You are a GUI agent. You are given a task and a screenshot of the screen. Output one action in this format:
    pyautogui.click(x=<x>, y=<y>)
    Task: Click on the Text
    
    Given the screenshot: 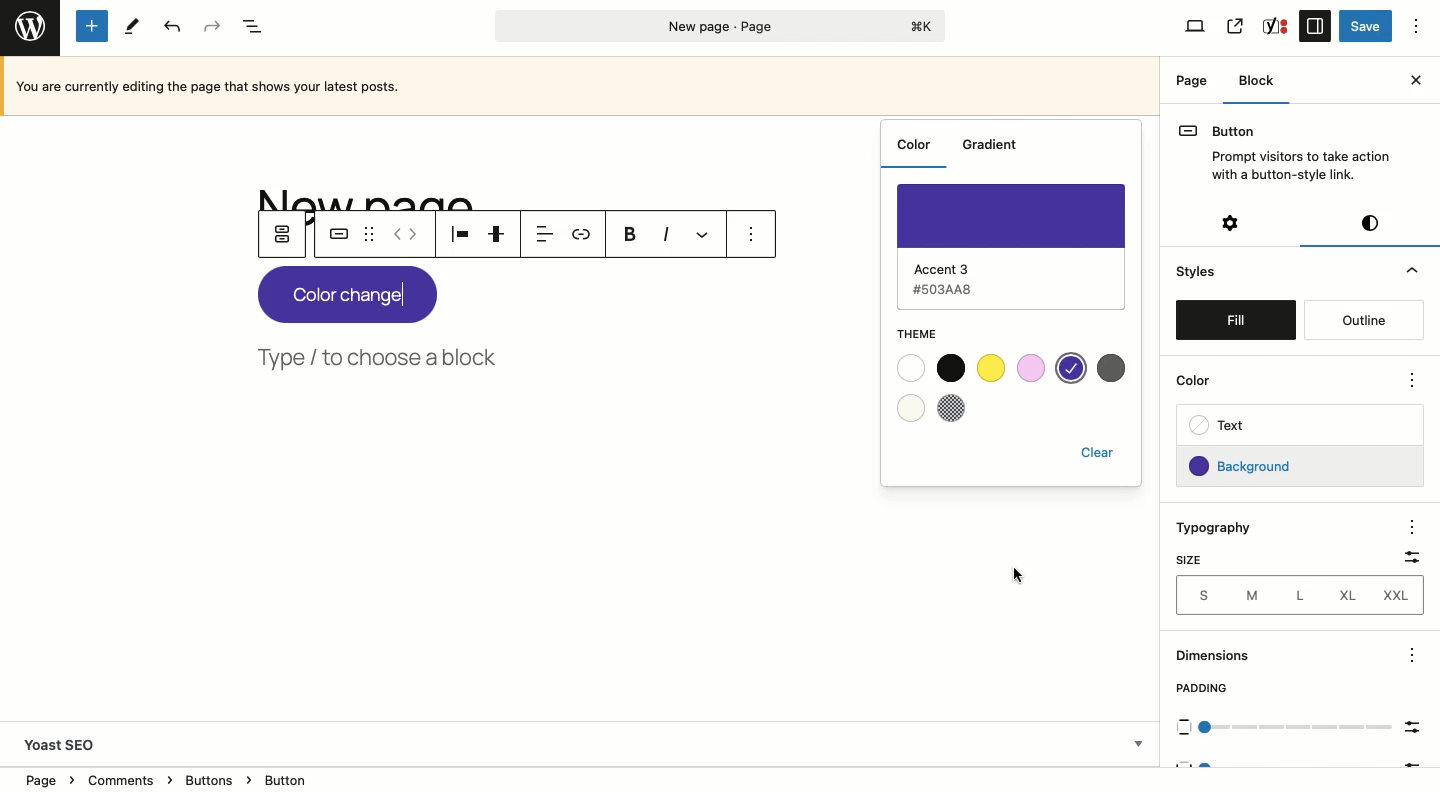 What is the action you would take?
    pyautogui.click(x=1306, y=427)
    